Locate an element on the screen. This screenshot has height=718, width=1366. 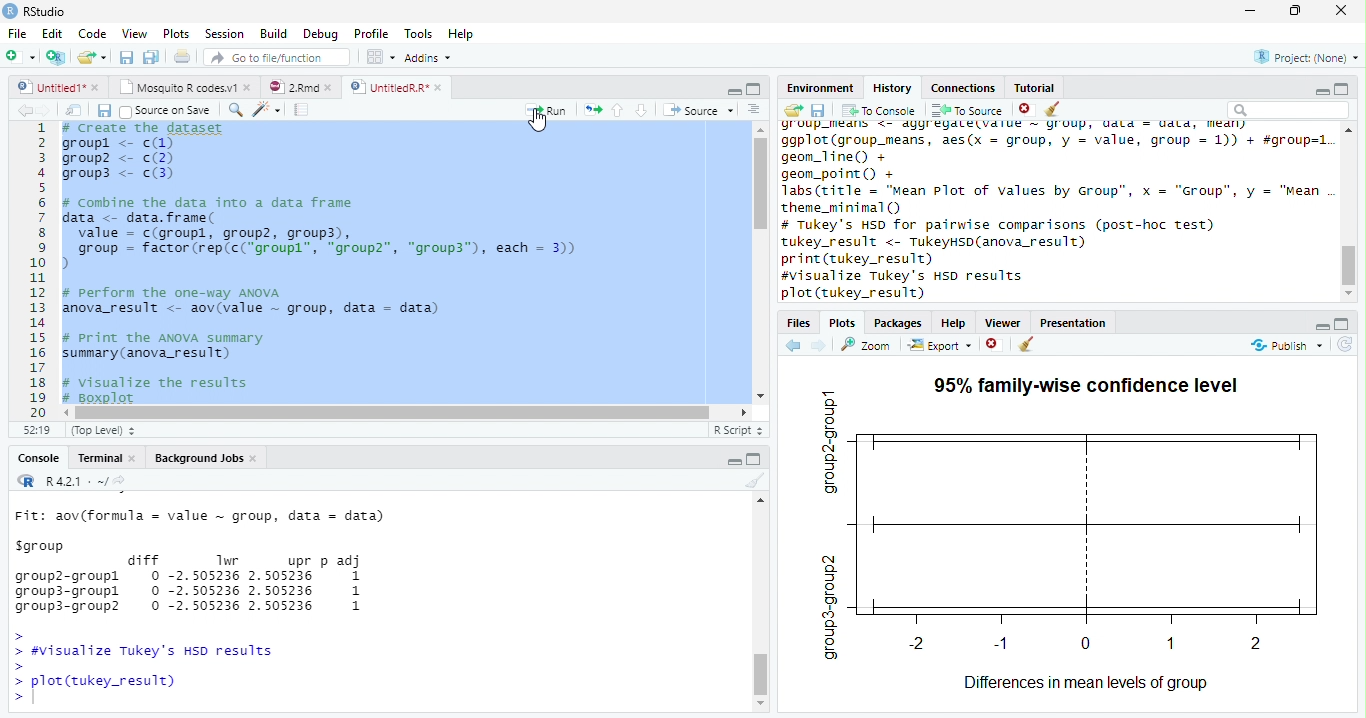
Untitled R* is located at coordinates (396, 87).